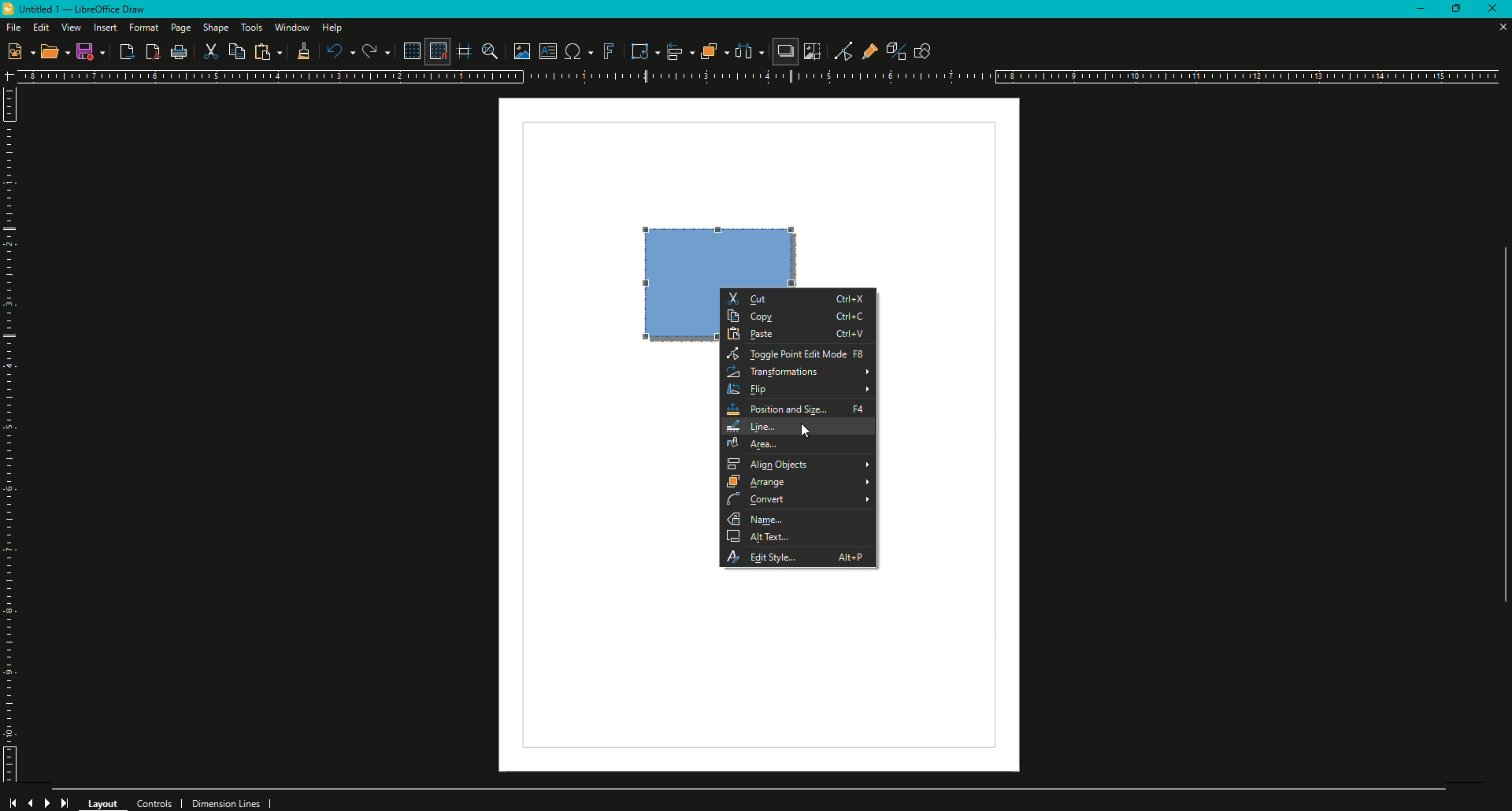  Describe the element at coordinates (339, 51) in the screenshot. I see `Undo` at that location.